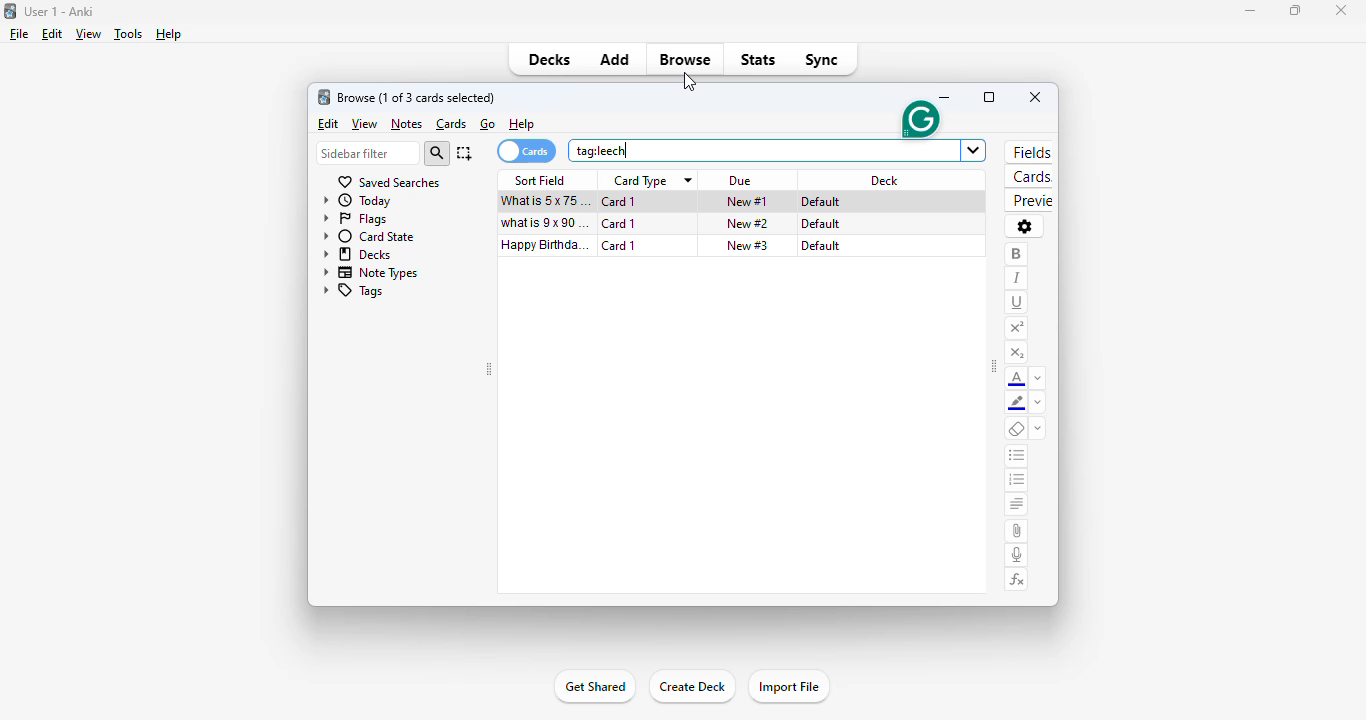 Image resolution: width=1366 pixels, height=720 pixels. Describe the element at coordinates (488, 124) in the screenshot. I see `go` at that location.